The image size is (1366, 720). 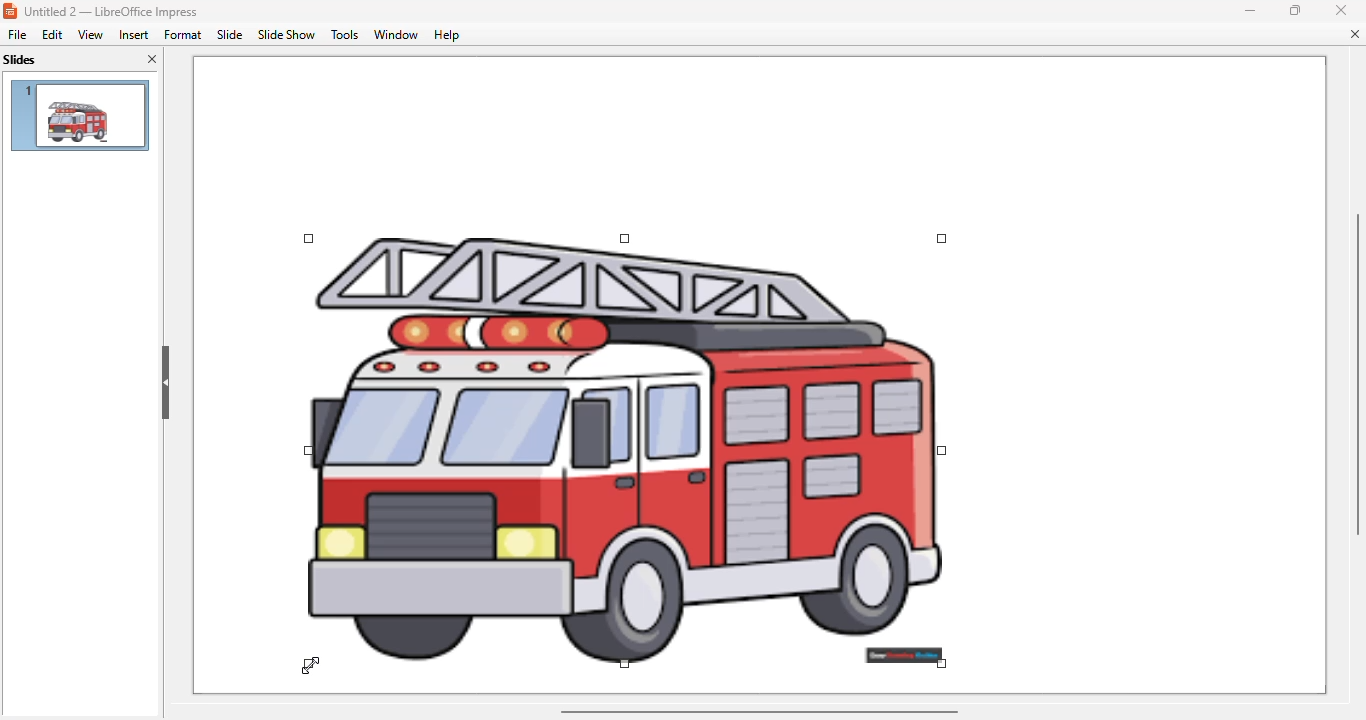 I want to click on close pane, so click(x=153, y=58).